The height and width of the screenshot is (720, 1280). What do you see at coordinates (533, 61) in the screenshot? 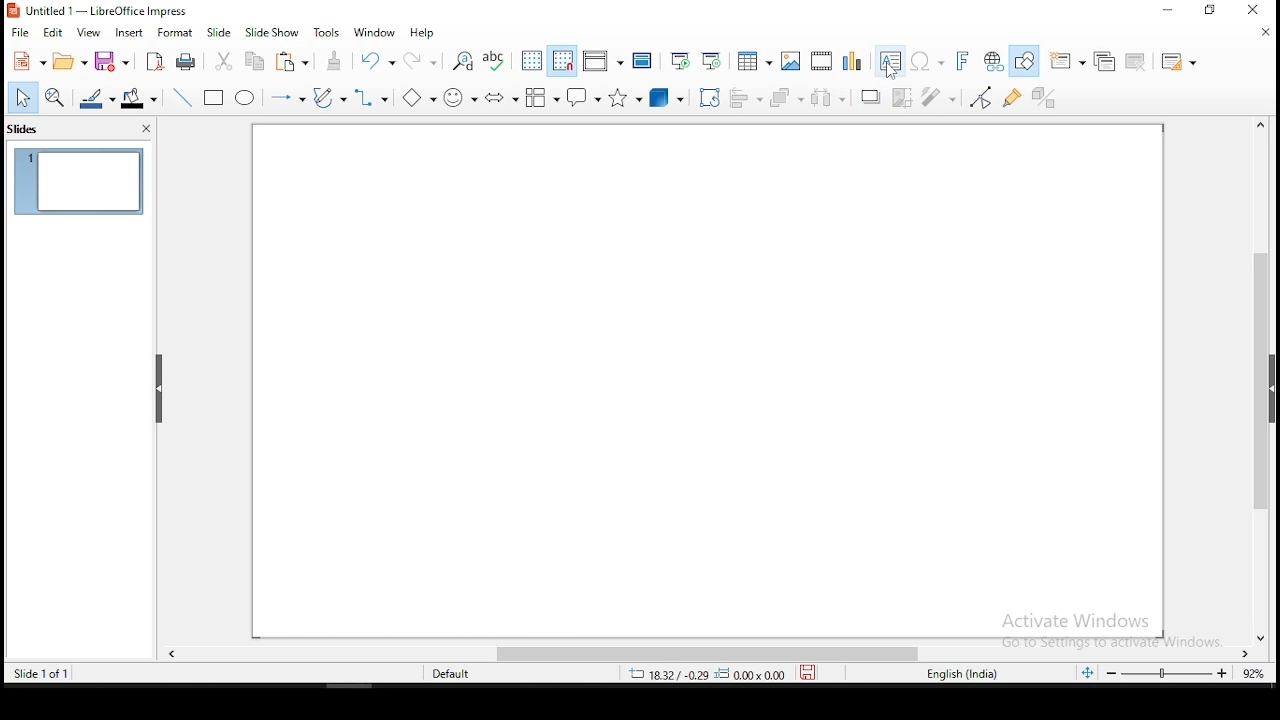
I see `display grid` at bounding box center [533, 61].